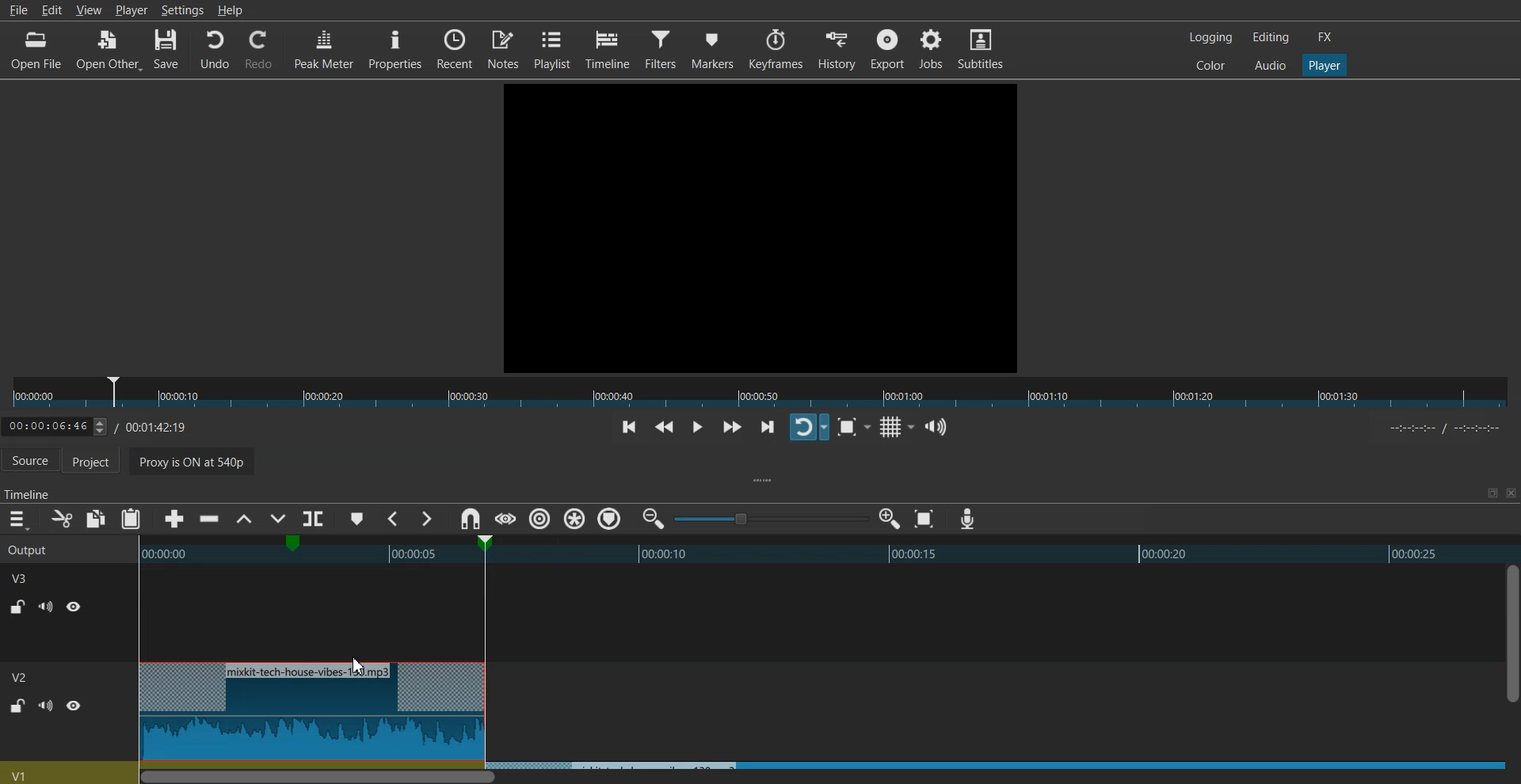  Describe the element at coordinates (838, 49) in the screenshot. I see `History` at that location.